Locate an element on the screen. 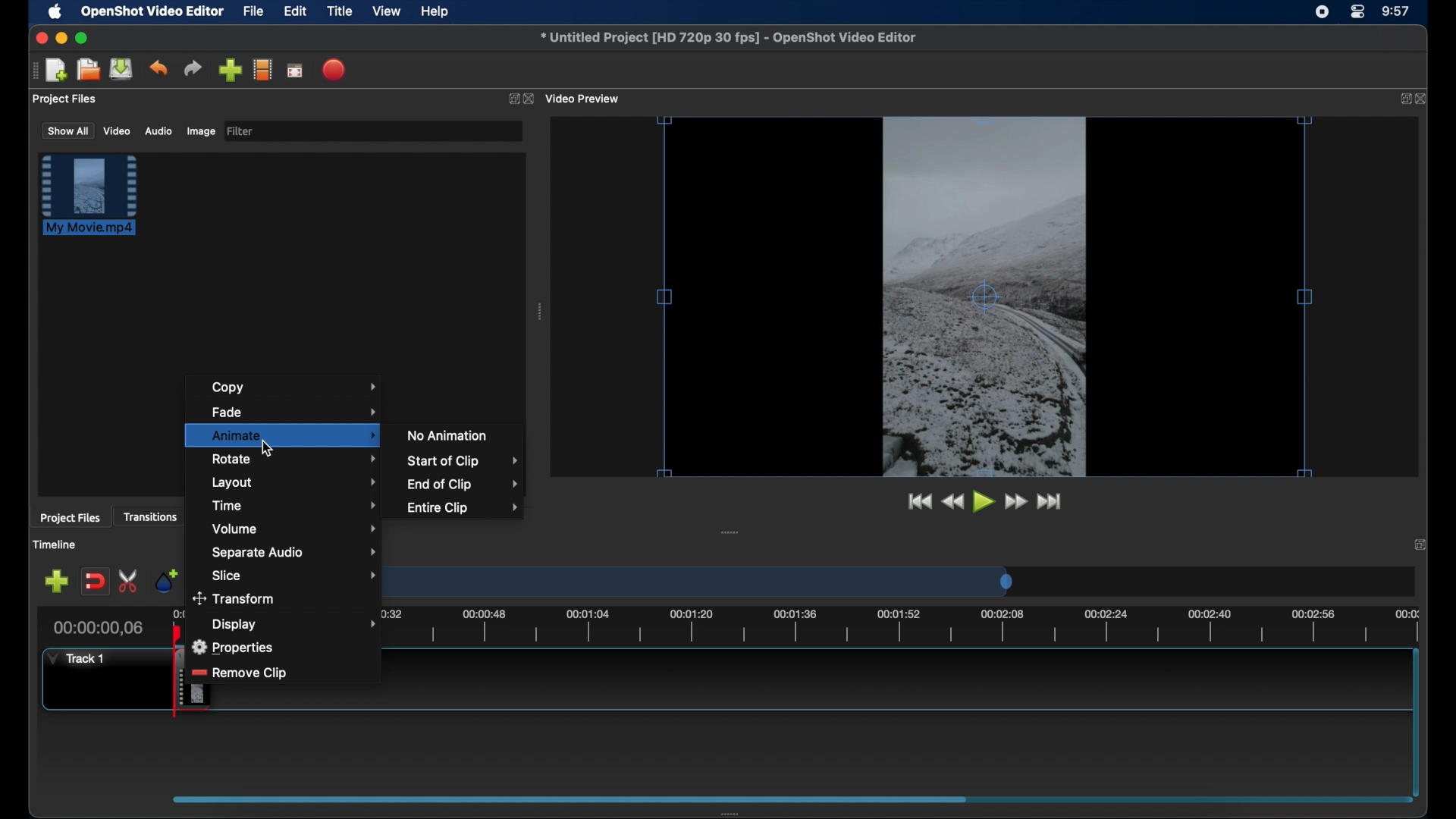 Image resolution: width=1456 pixels, height=819 pixels. export video is located at coordinates (335, 70).